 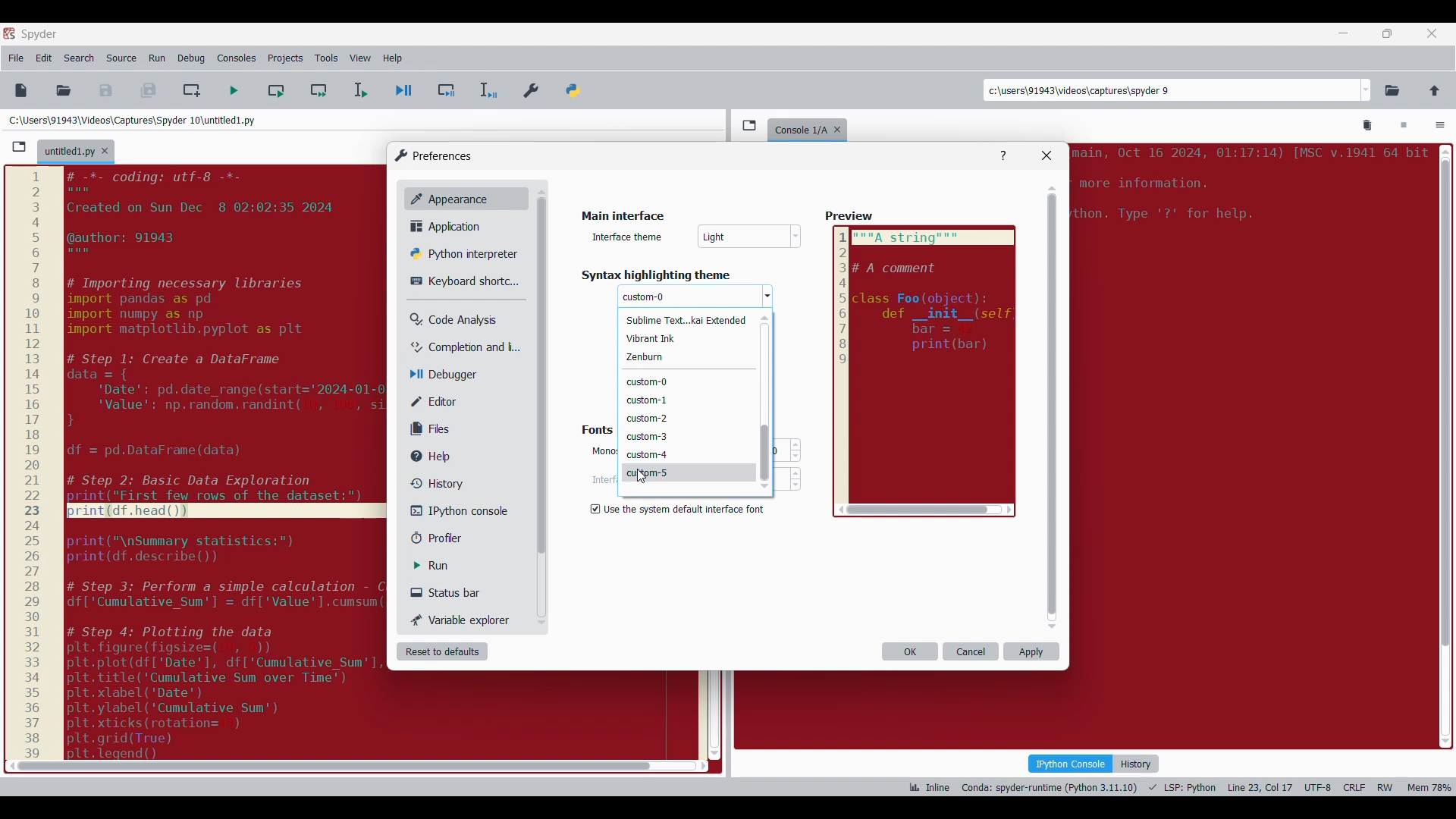 I want to click on History, so click(x=434, y=483).